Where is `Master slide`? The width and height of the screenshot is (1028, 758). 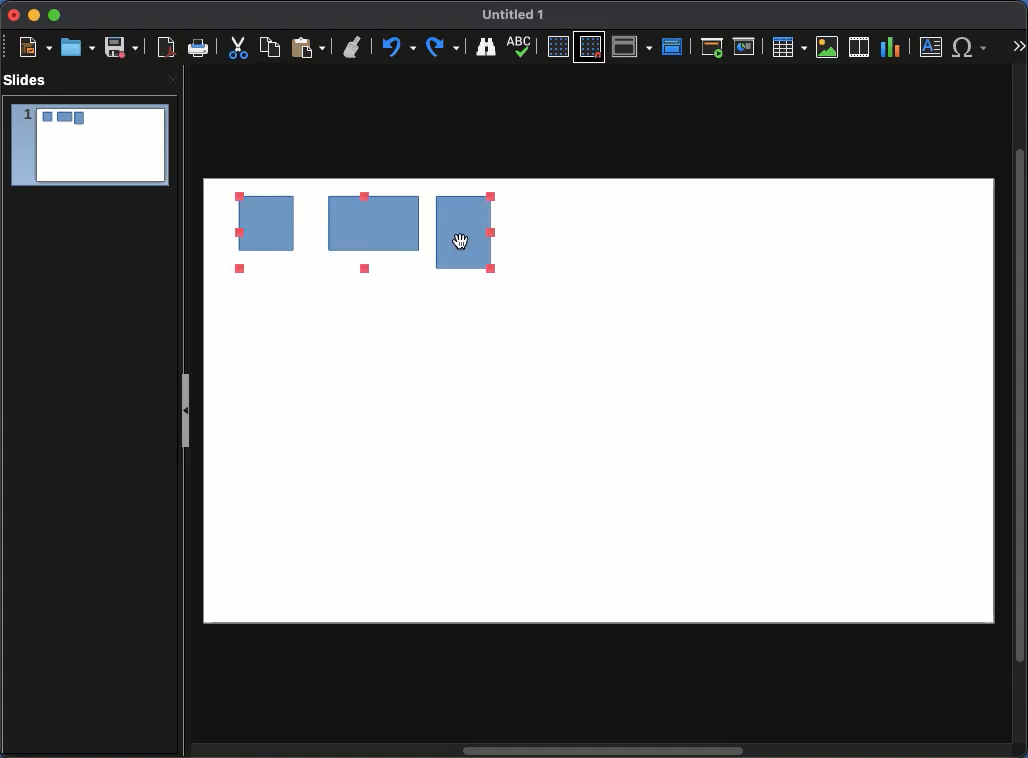
Master slide is located at coordinates (675, 45).